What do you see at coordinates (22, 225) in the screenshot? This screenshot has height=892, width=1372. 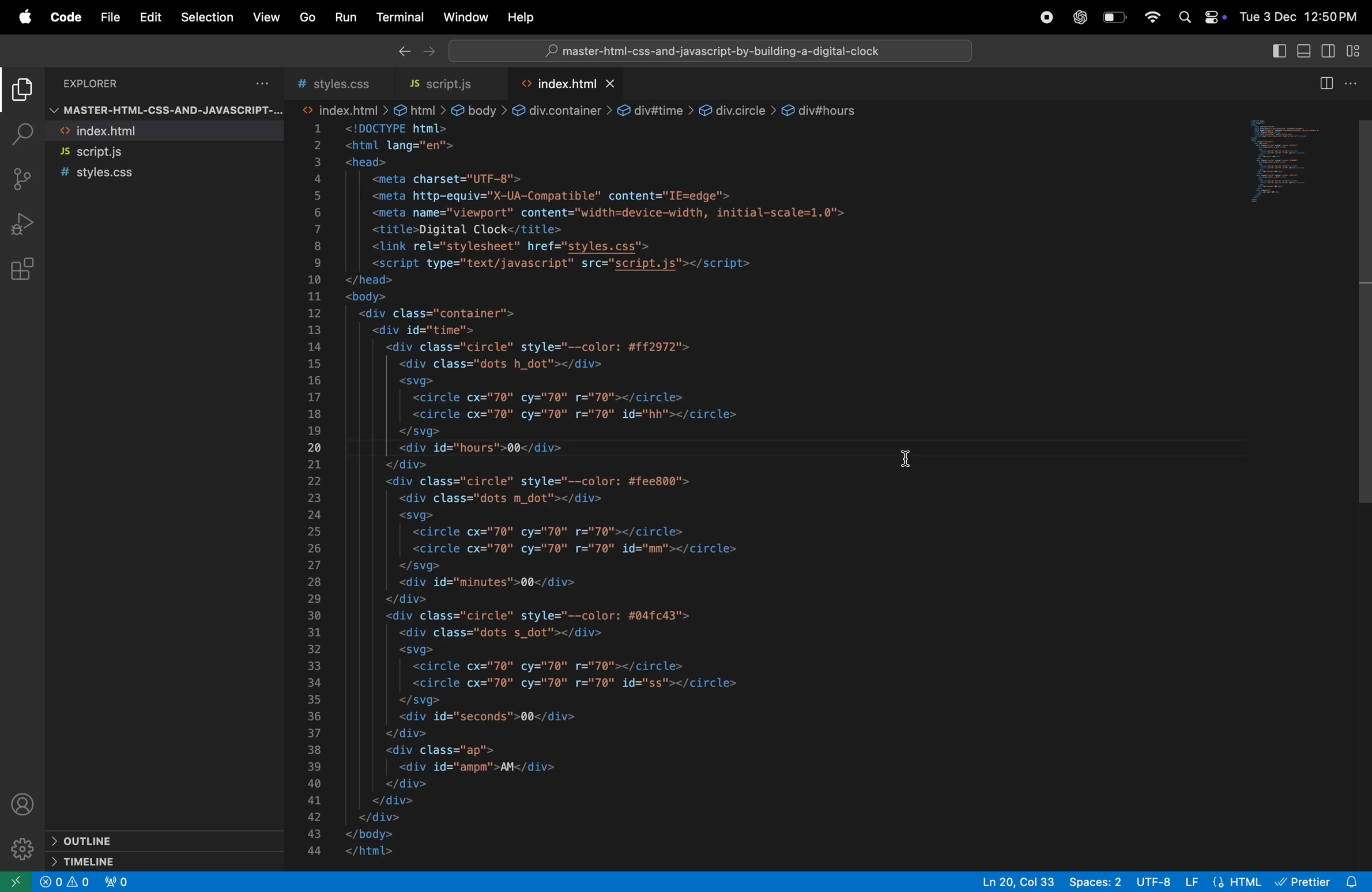 I see `debug` at bounding box center [22, 225].